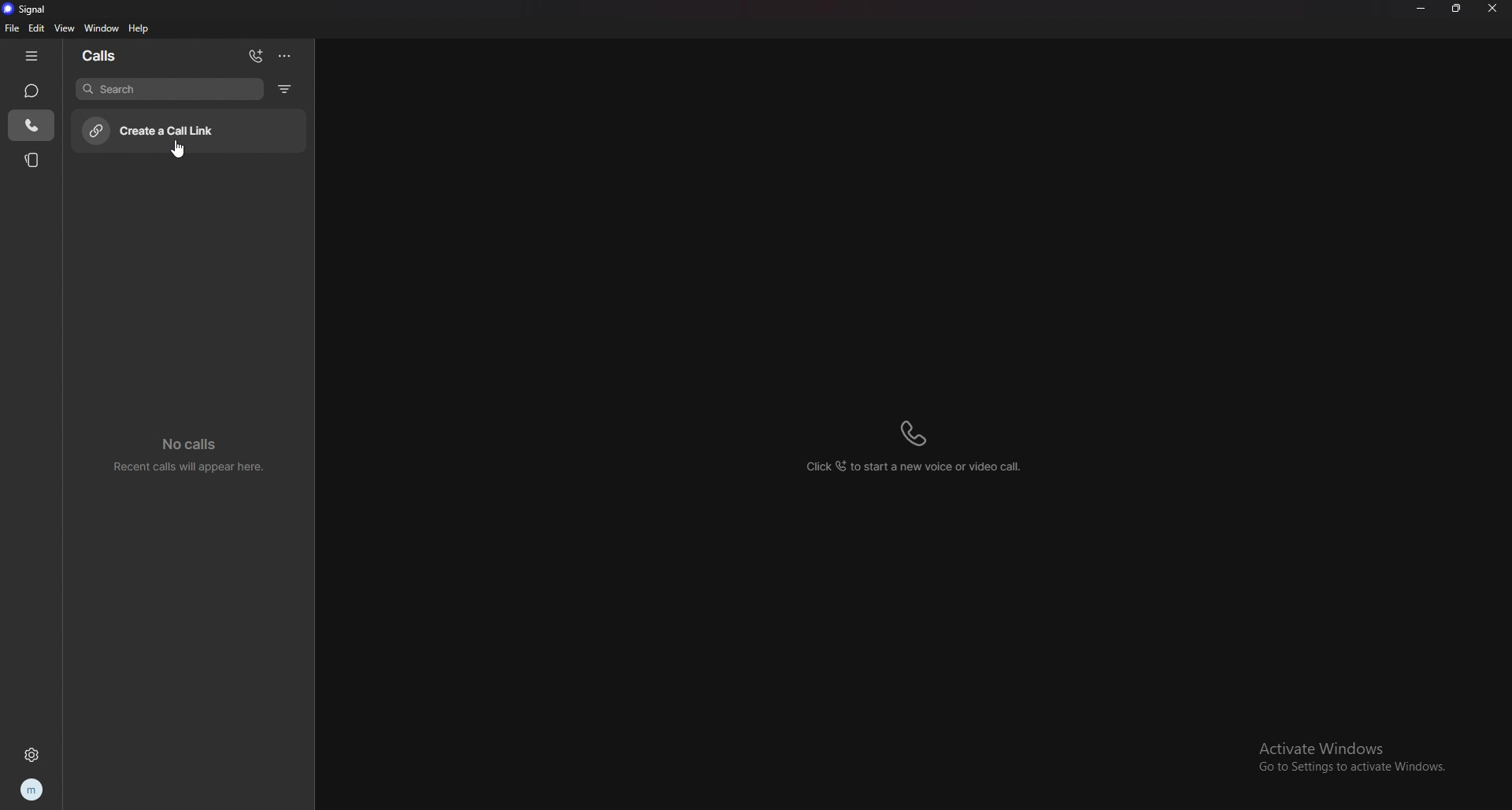  I want to click on stories, so click(33, 159).